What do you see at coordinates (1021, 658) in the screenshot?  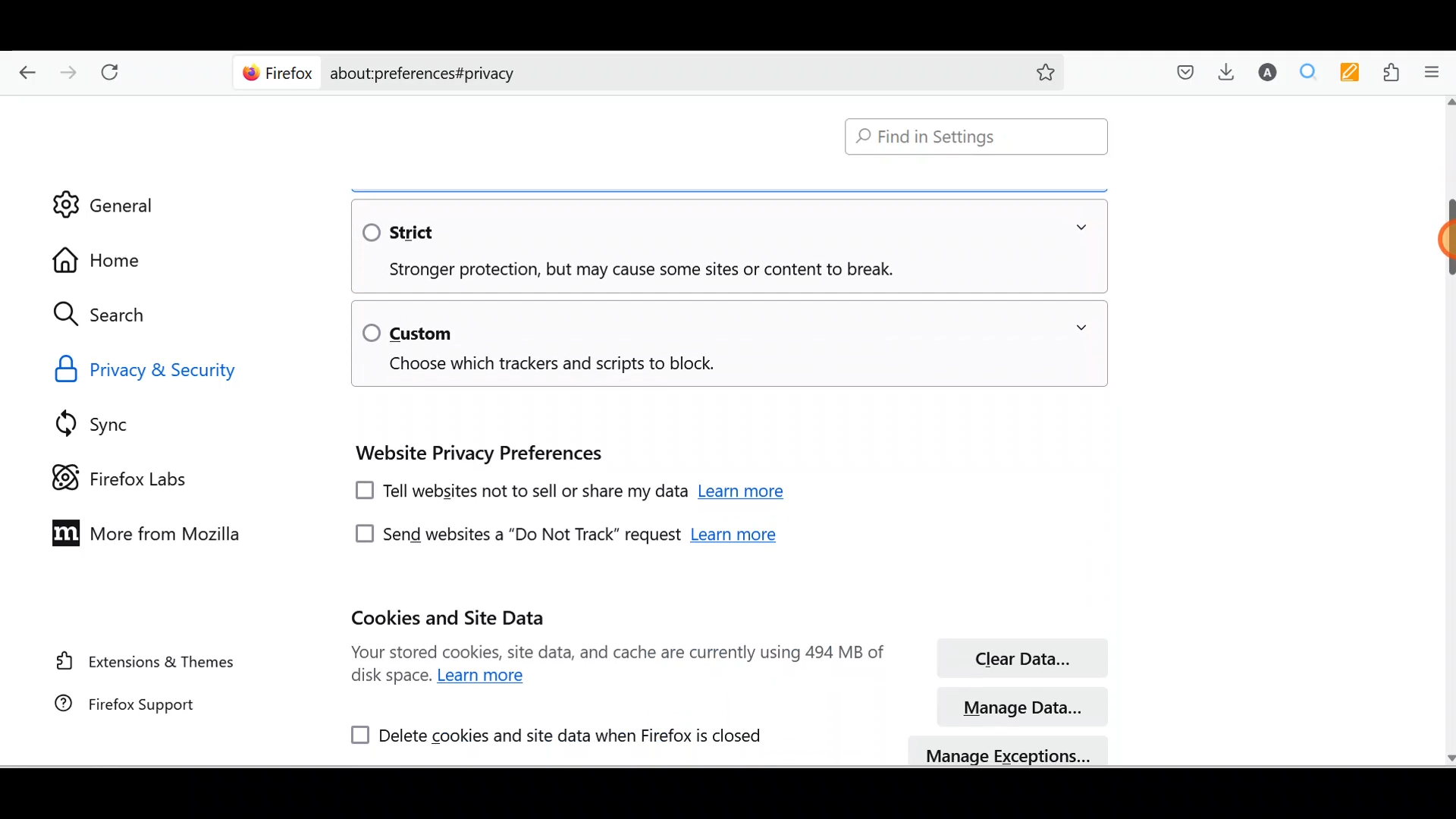 I see `Clear data` at bounding box center [1021, 658].